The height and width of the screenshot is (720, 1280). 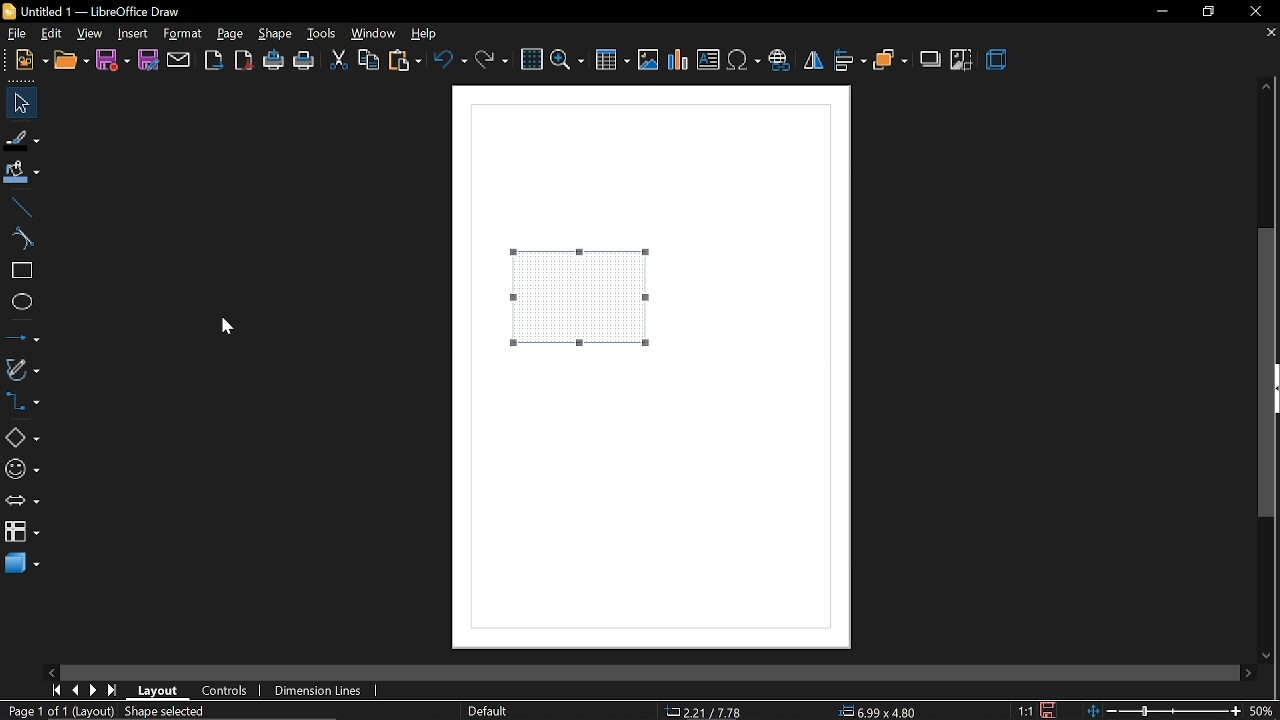 What do you see at coordinates (742, 59) in the screenshot?
I see `insert symbol` at bounding box center [742, 59].